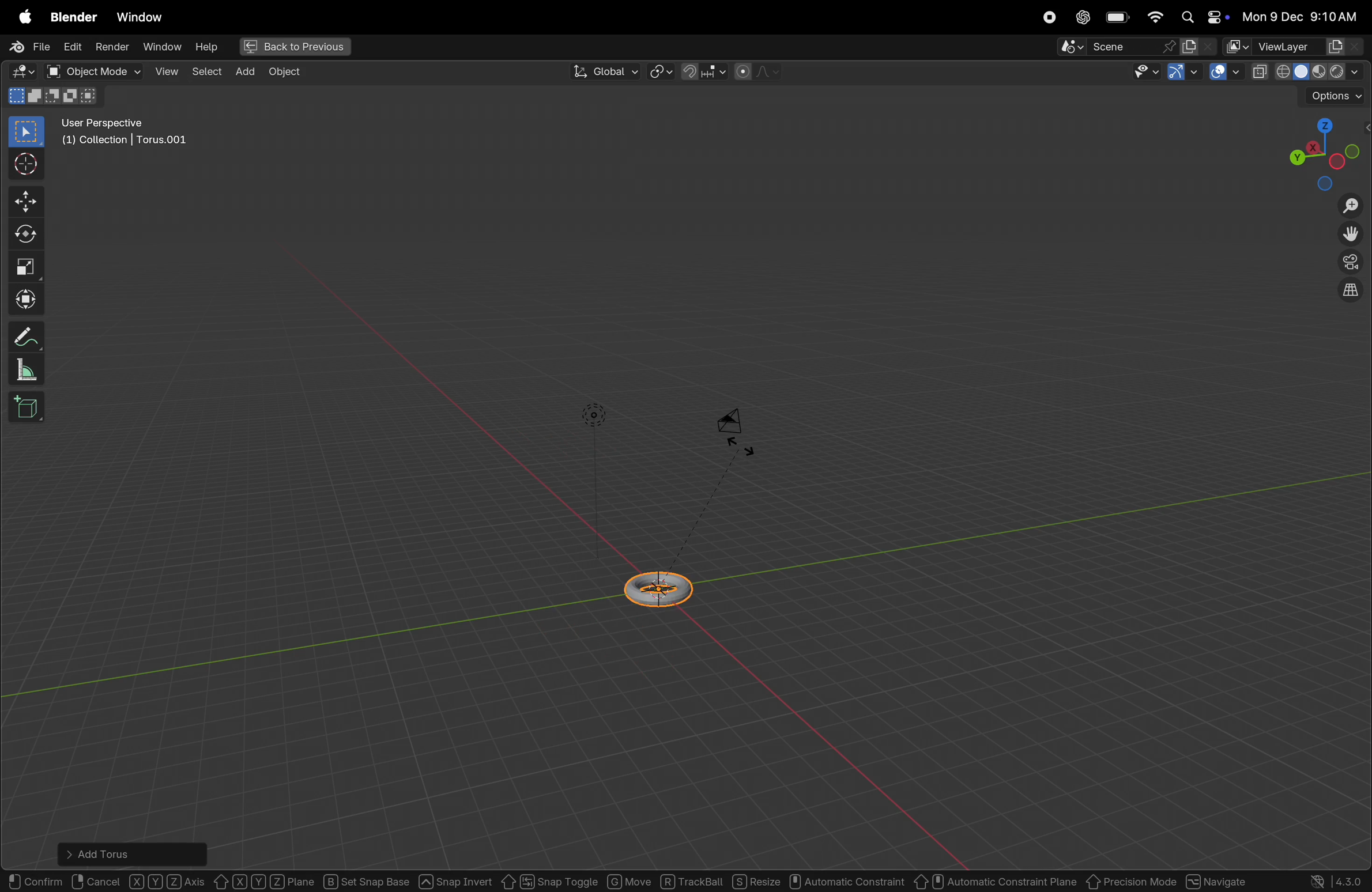  I want to click on options, so click(1335, 97).